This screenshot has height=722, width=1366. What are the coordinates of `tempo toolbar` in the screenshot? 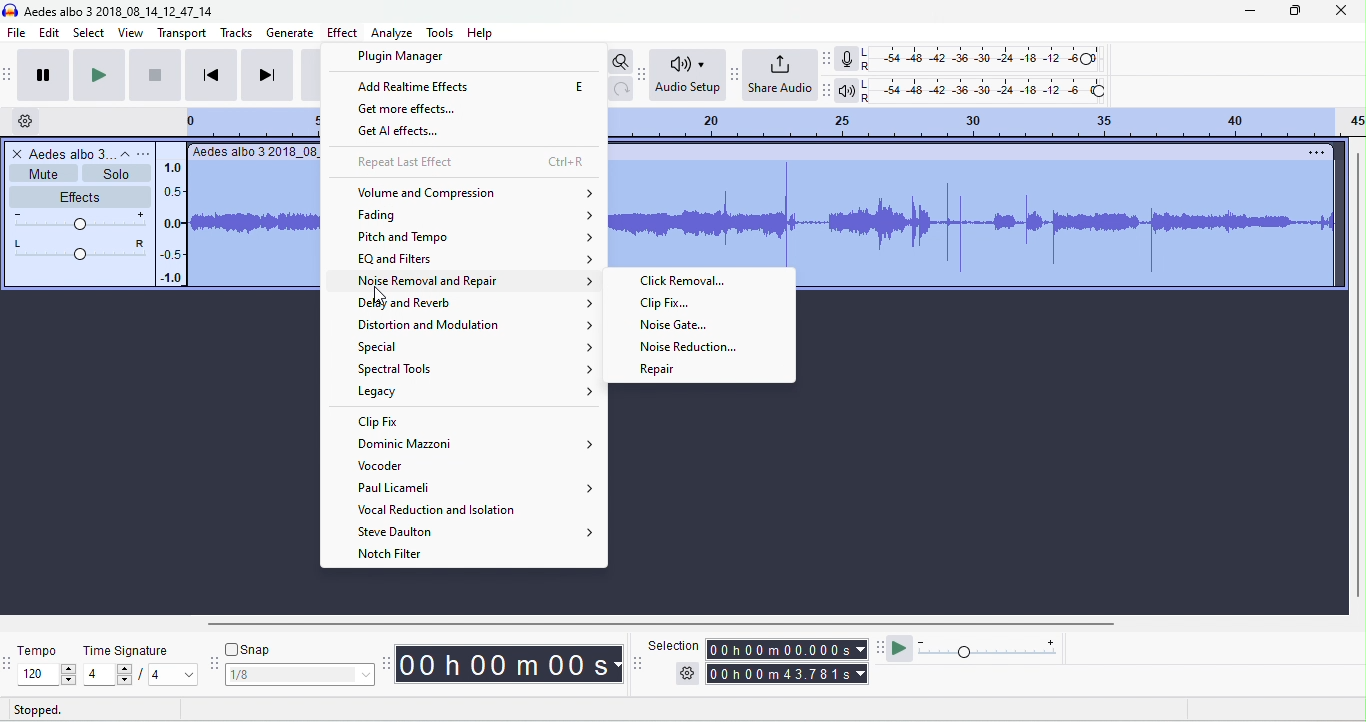 It's located at (9, 662).